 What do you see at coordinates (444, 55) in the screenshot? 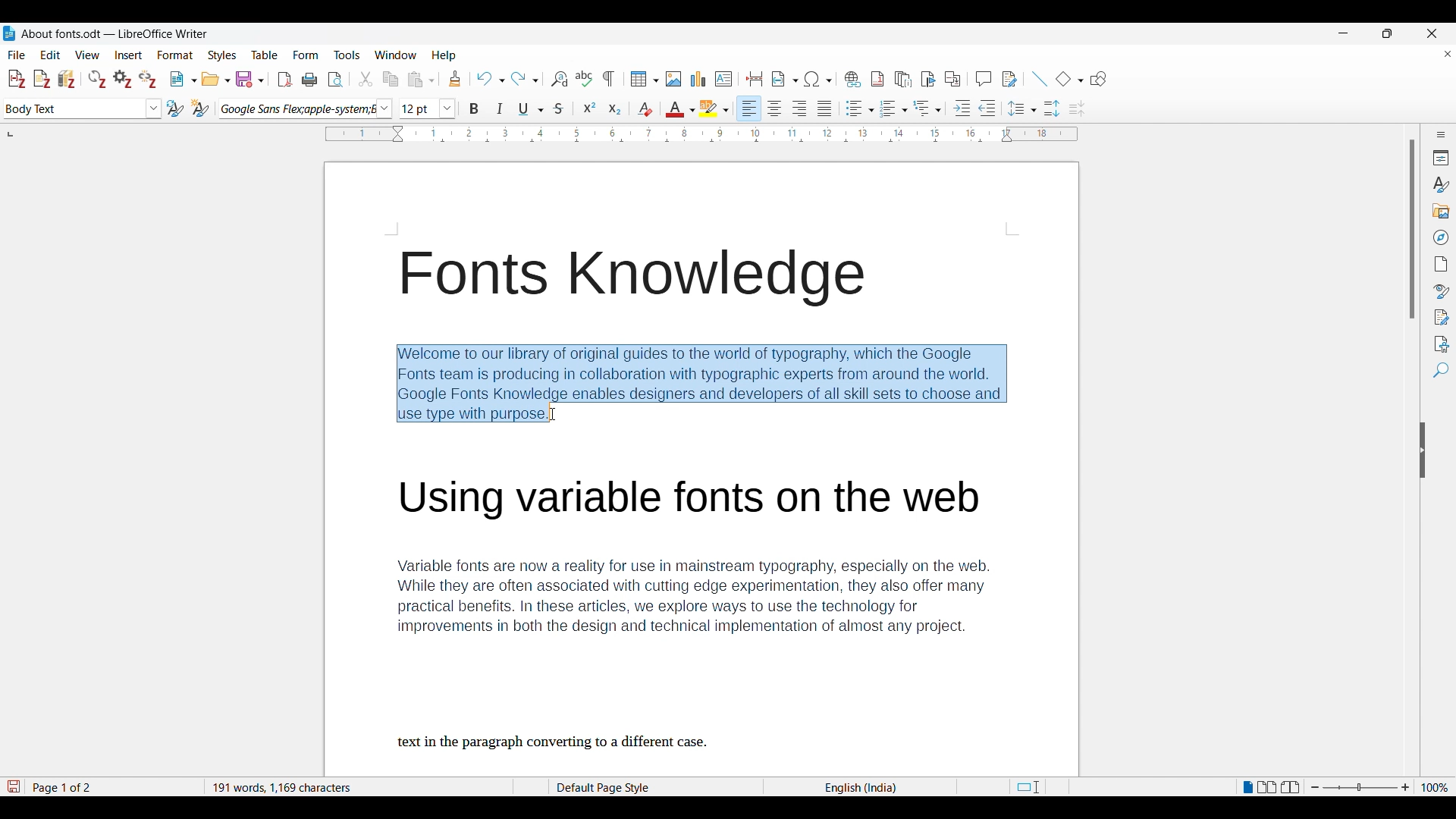
I see `Help menu` at bounding box center [444, 55].